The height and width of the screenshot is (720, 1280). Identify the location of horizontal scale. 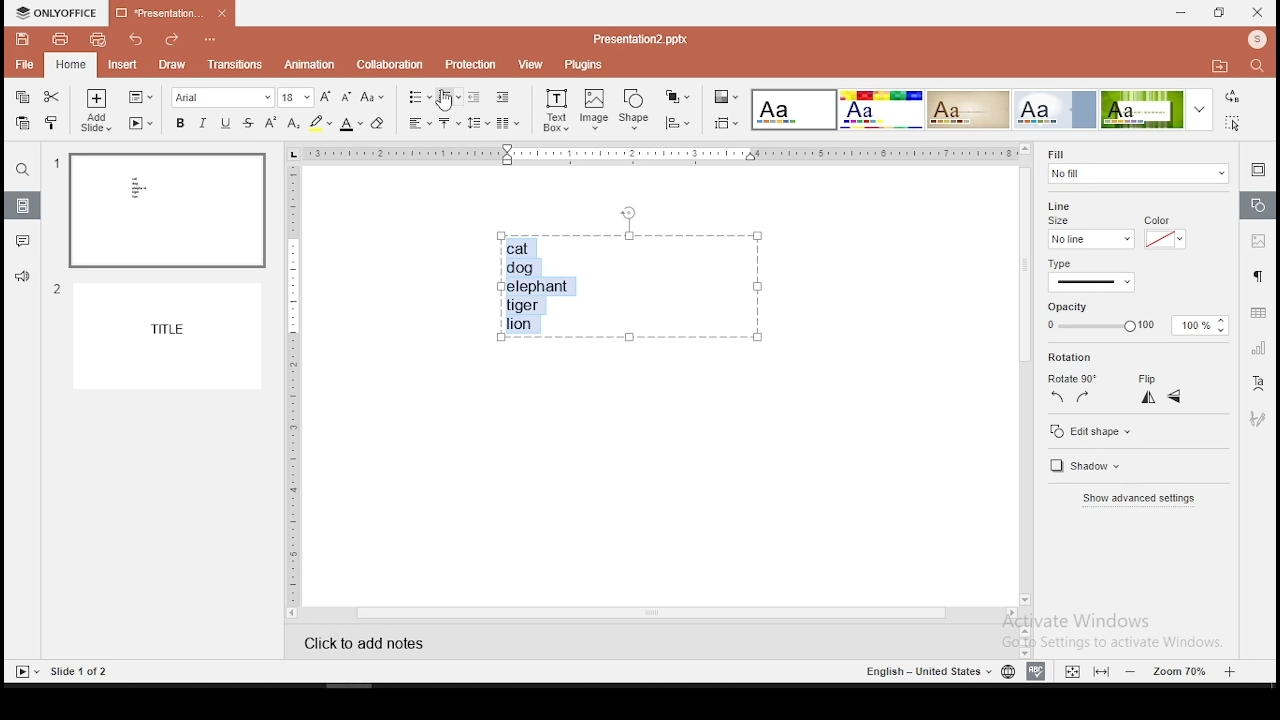
(660, 153).